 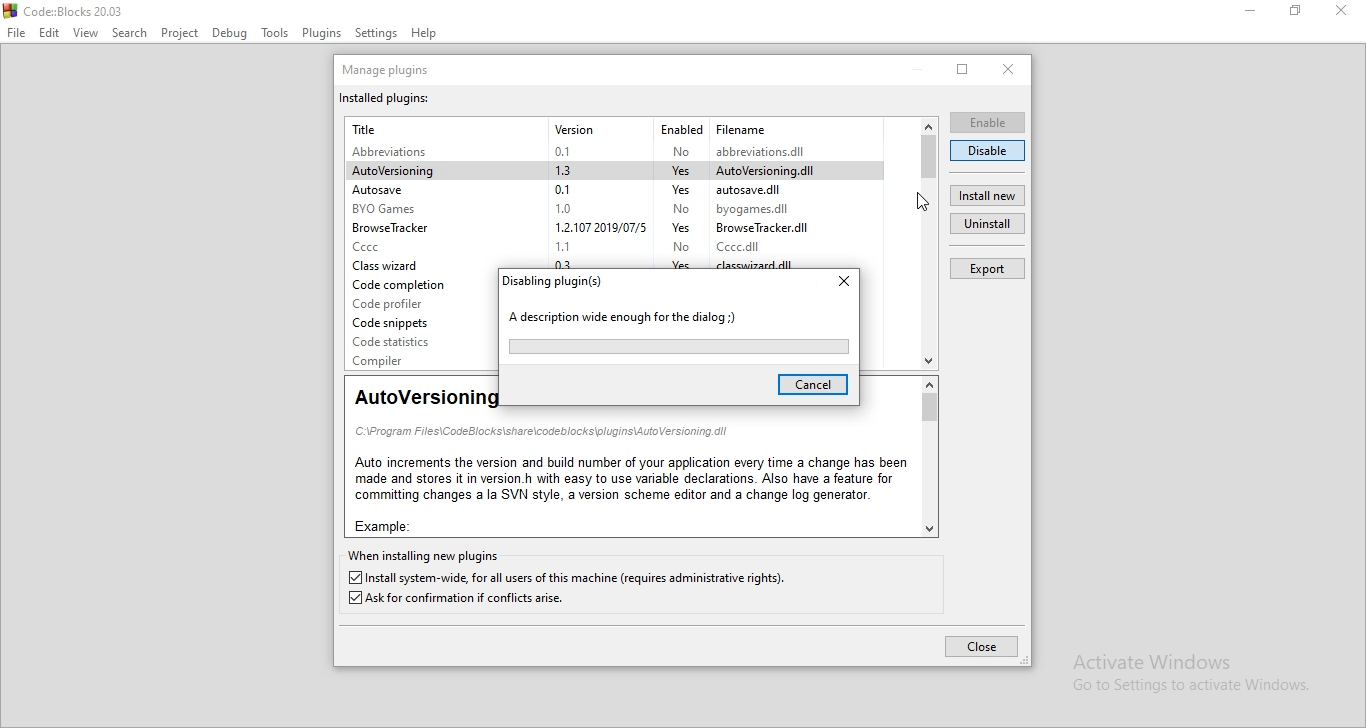 What do you see at coordinates (388, 210) in the screenshot?
I see `BYO Games` at bounding box center [388, 210].